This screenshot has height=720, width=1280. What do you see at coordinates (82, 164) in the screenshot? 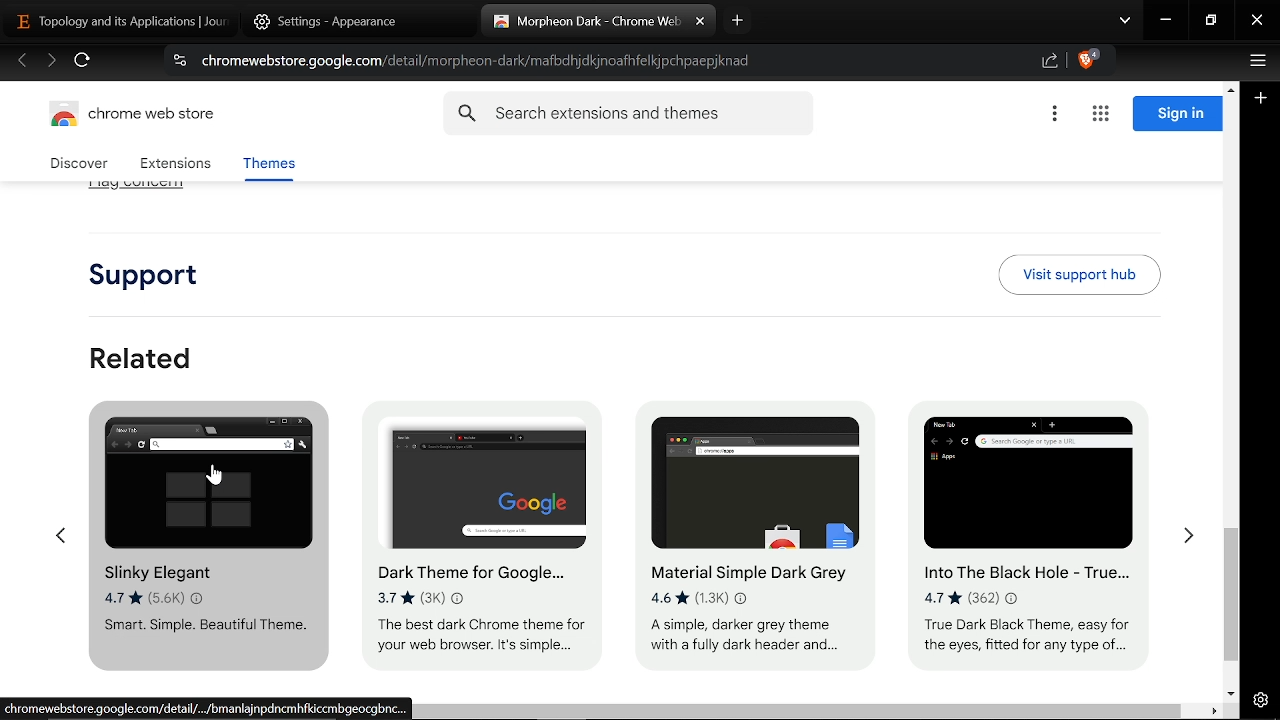
I see `Discover` at bounding box center [82, 164].